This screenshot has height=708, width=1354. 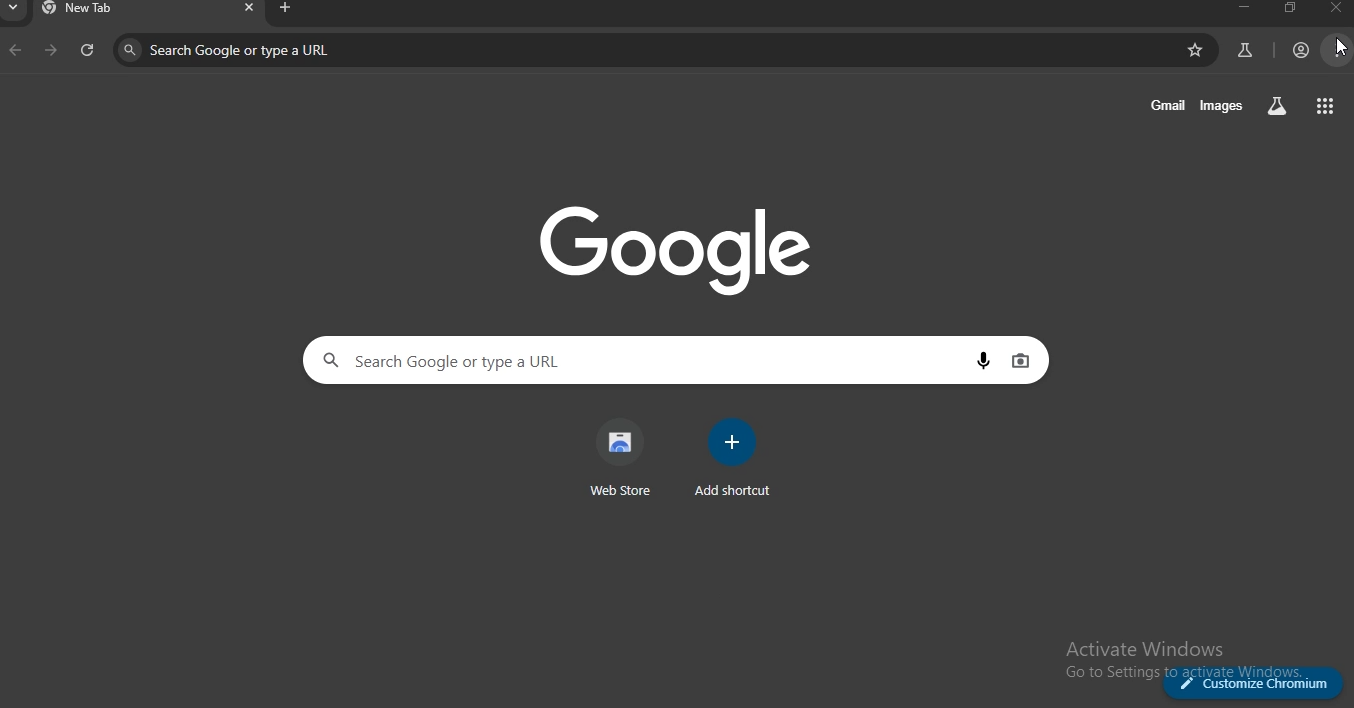 What do you see at coordinates (1255, 681) in the screenshot?
I see `customize chromium` at bounding box center [1255, 681].